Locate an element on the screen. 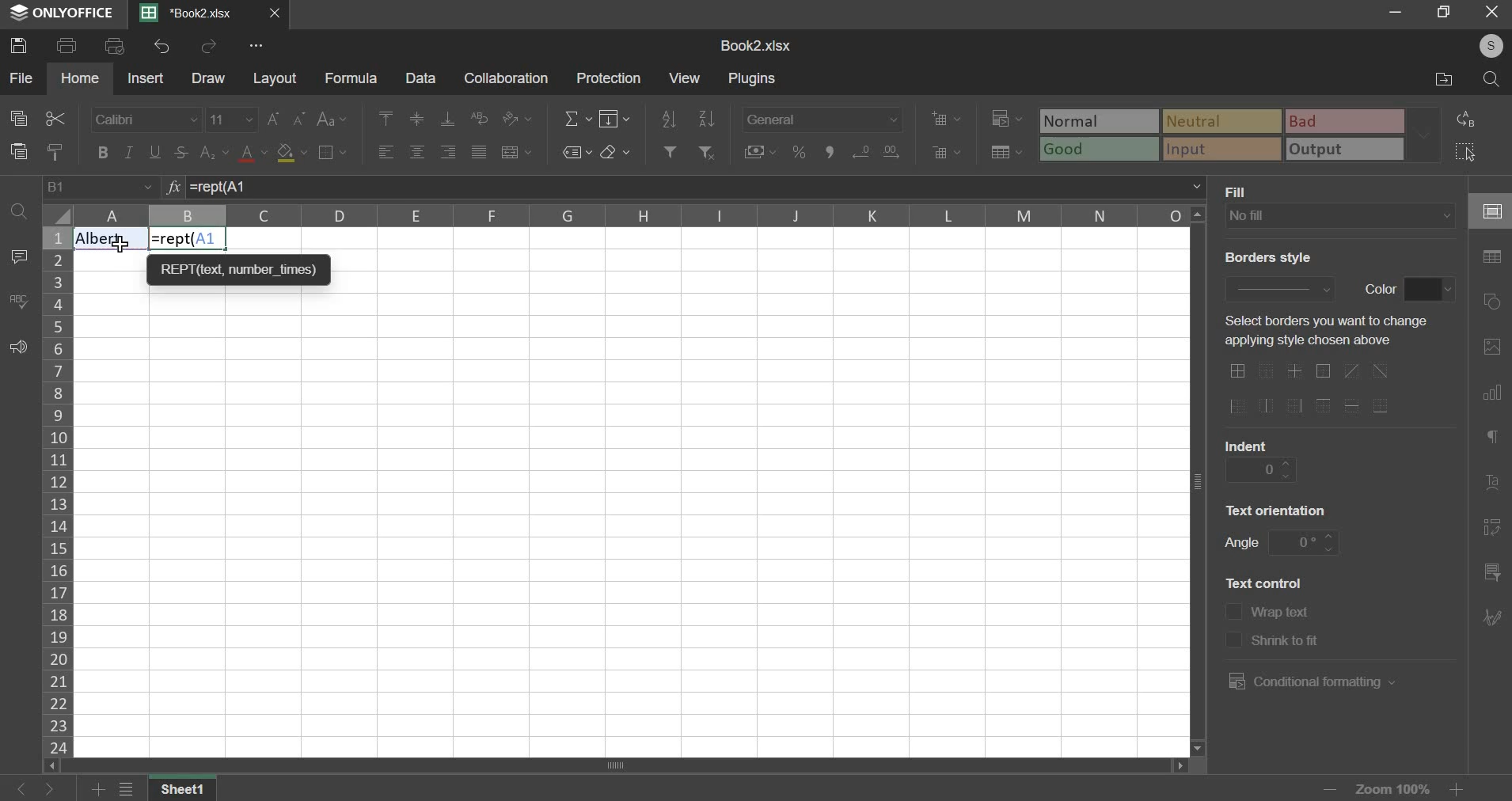 The width and height of the screenshot is (1512, 801). slicer settings is located at coordinates (1493, 570).